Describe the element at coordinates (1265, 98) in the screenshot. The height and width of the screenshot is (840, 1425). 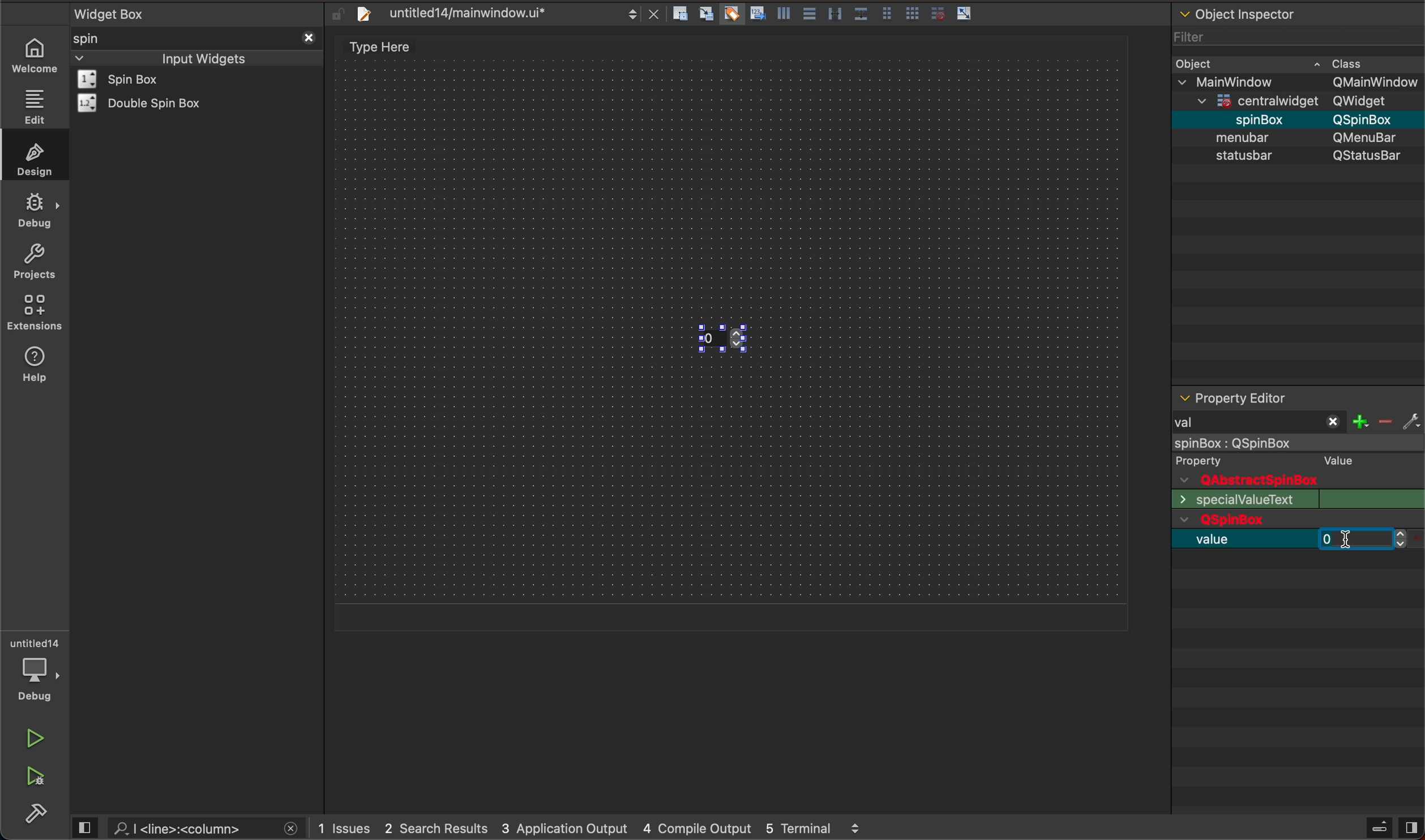
I see `` at that location.